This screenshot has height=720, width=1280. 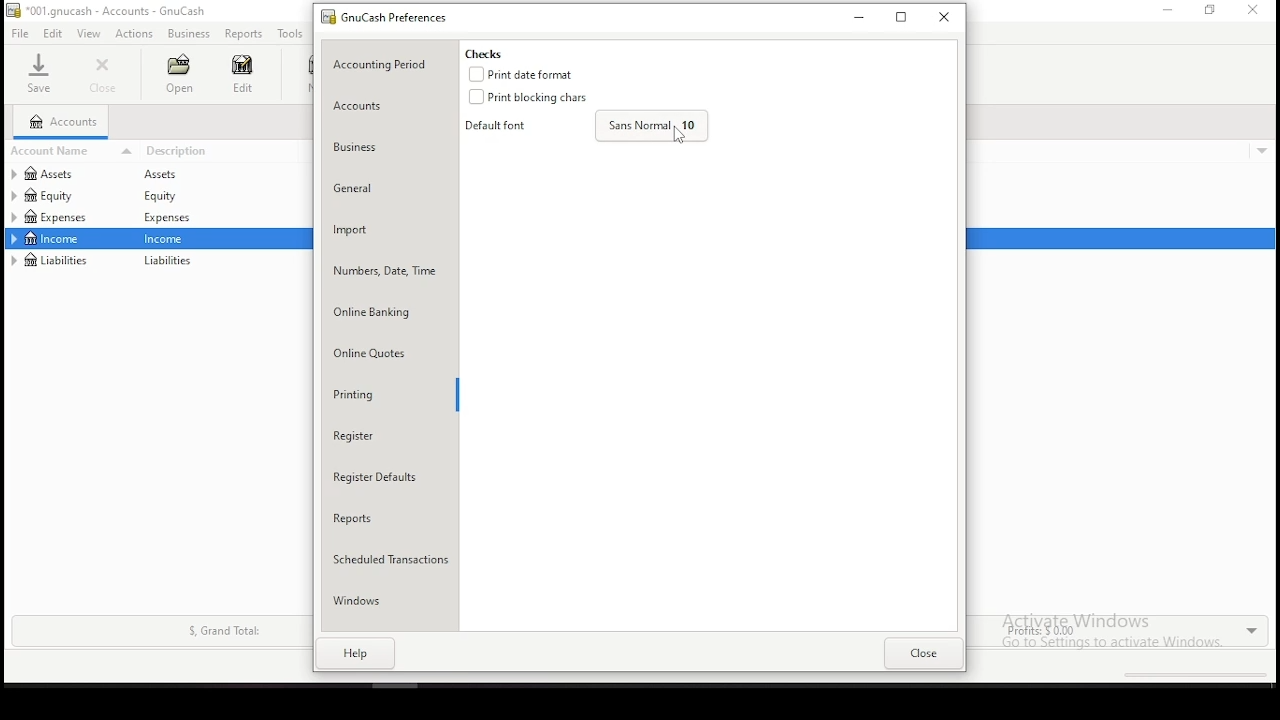 I want to click on reports, so click(x=369, y=518).